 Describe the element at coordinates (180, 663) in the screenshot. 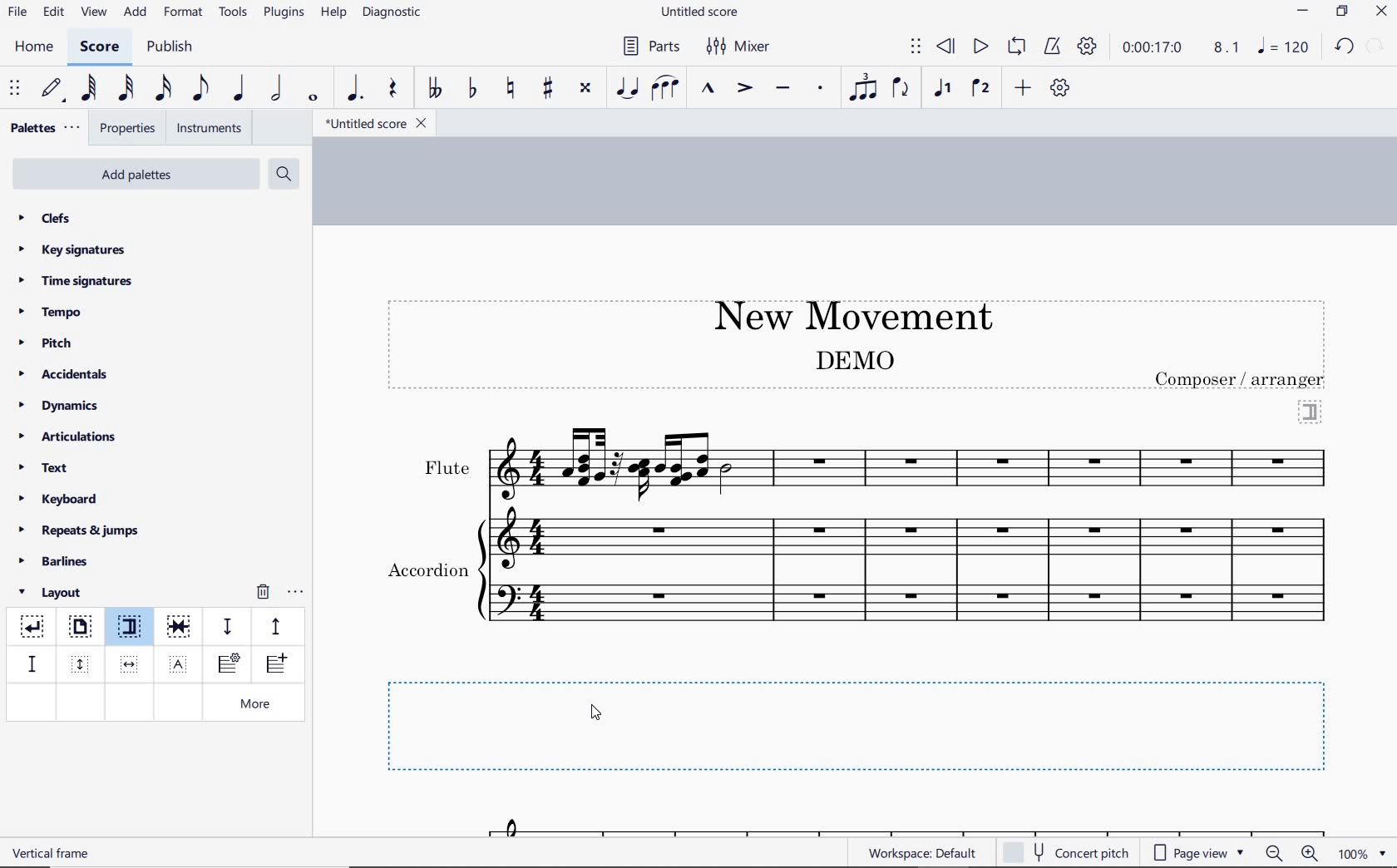

I see `insert text frame` at that location.